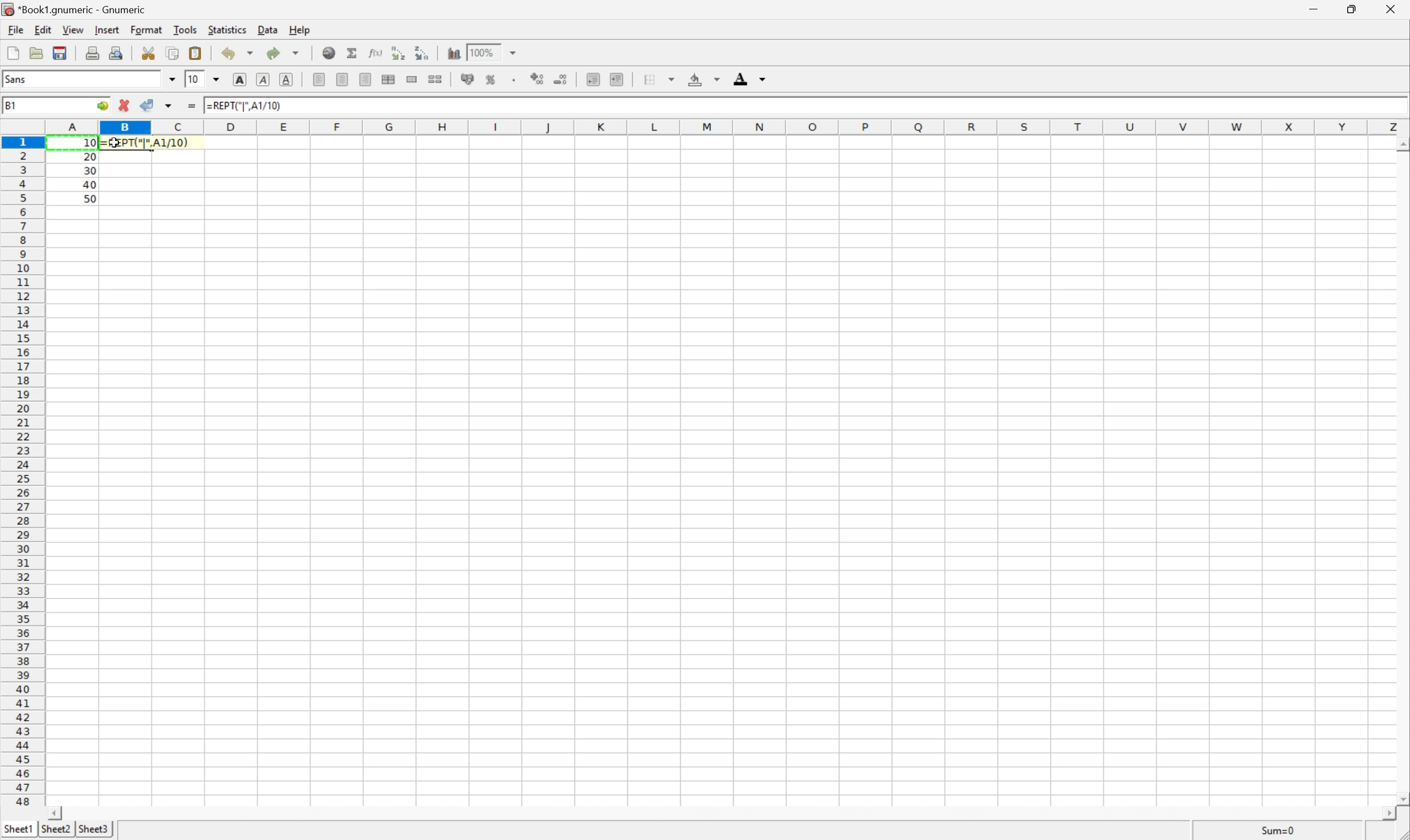  Describe the element at coordinates (1310, 7) in the screenshot. I see `Minimize` at that location.